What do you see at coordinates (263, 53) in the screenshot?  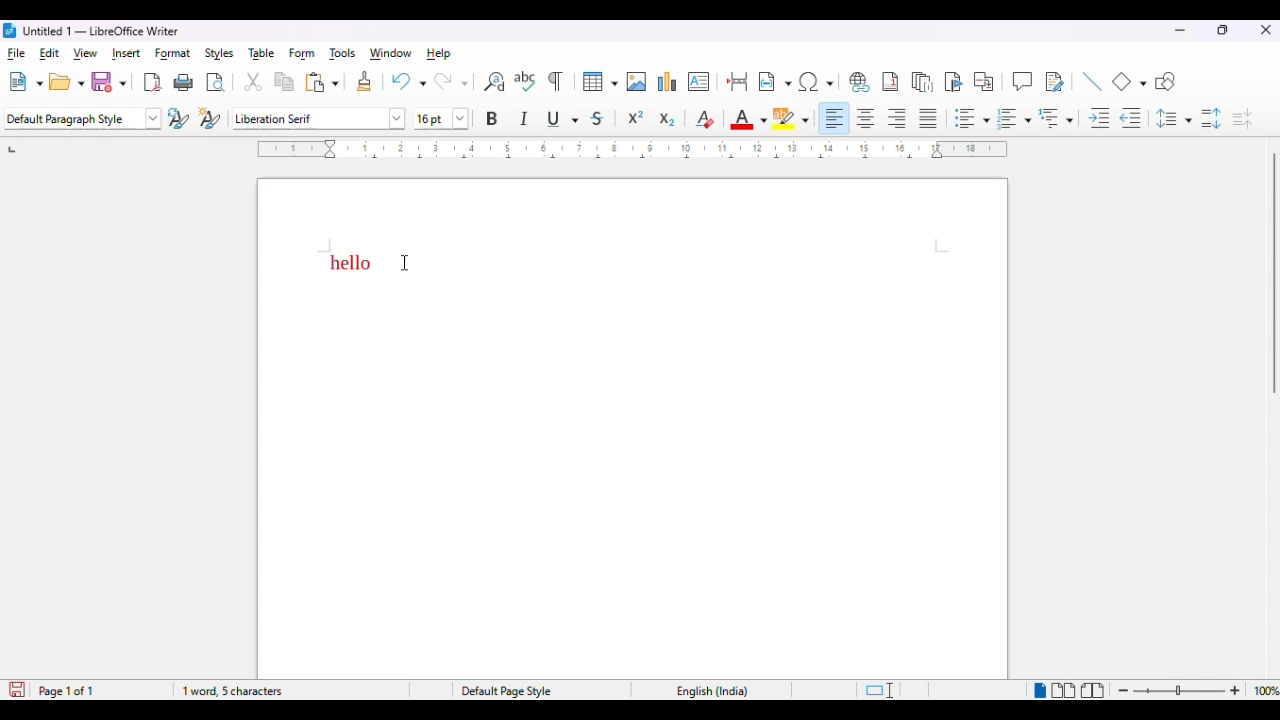 I see `table` at bounding box center [263, 53].